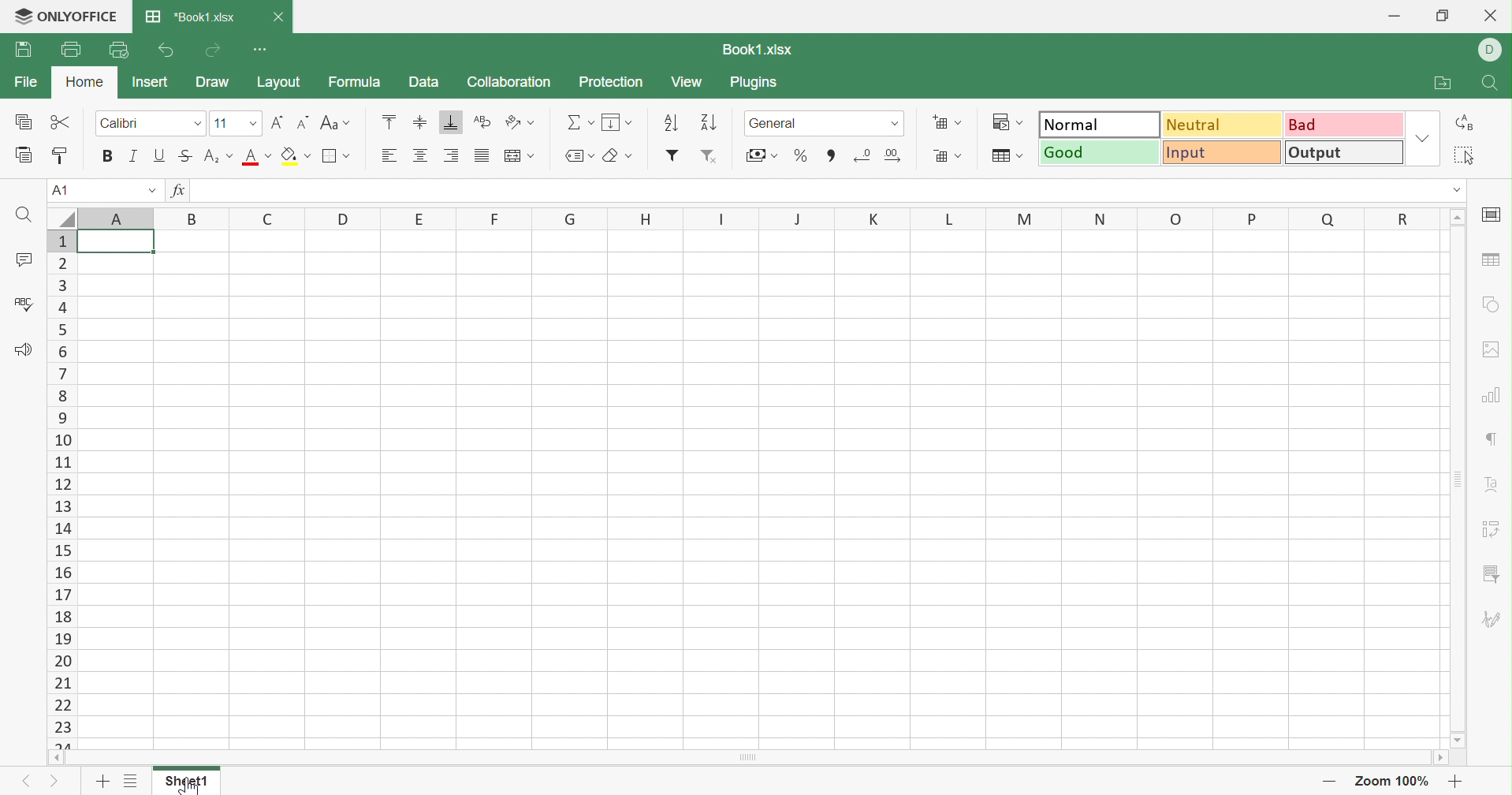 Image resolution: width=1512 pixels, height=795 pixels. Describe the element at coordinates (24, 349) in the screenshot. I see `Feedback & Support` at that location.